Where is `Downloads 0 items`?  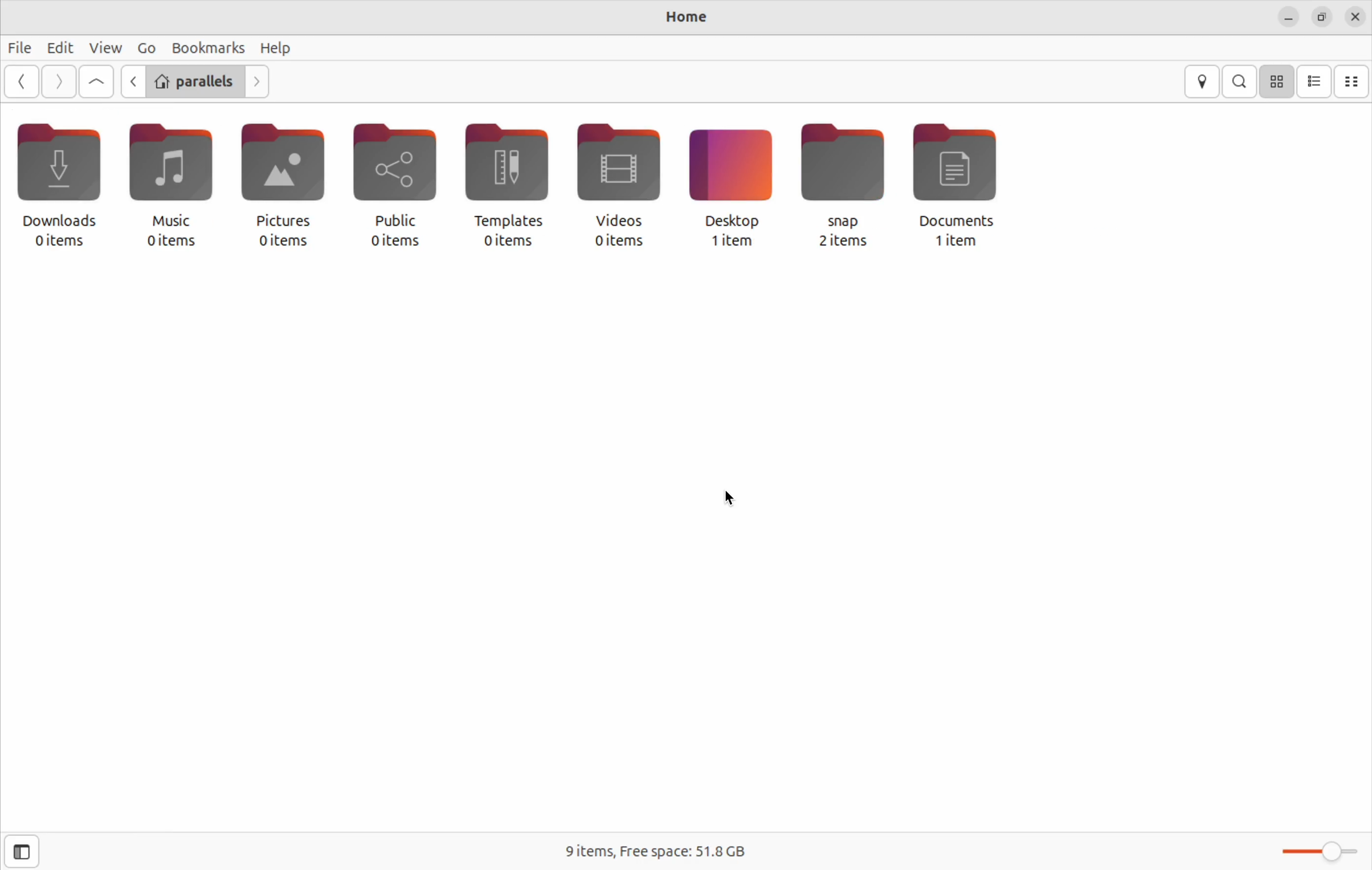 Downloads 0 items is located at coordinates (66, 187).